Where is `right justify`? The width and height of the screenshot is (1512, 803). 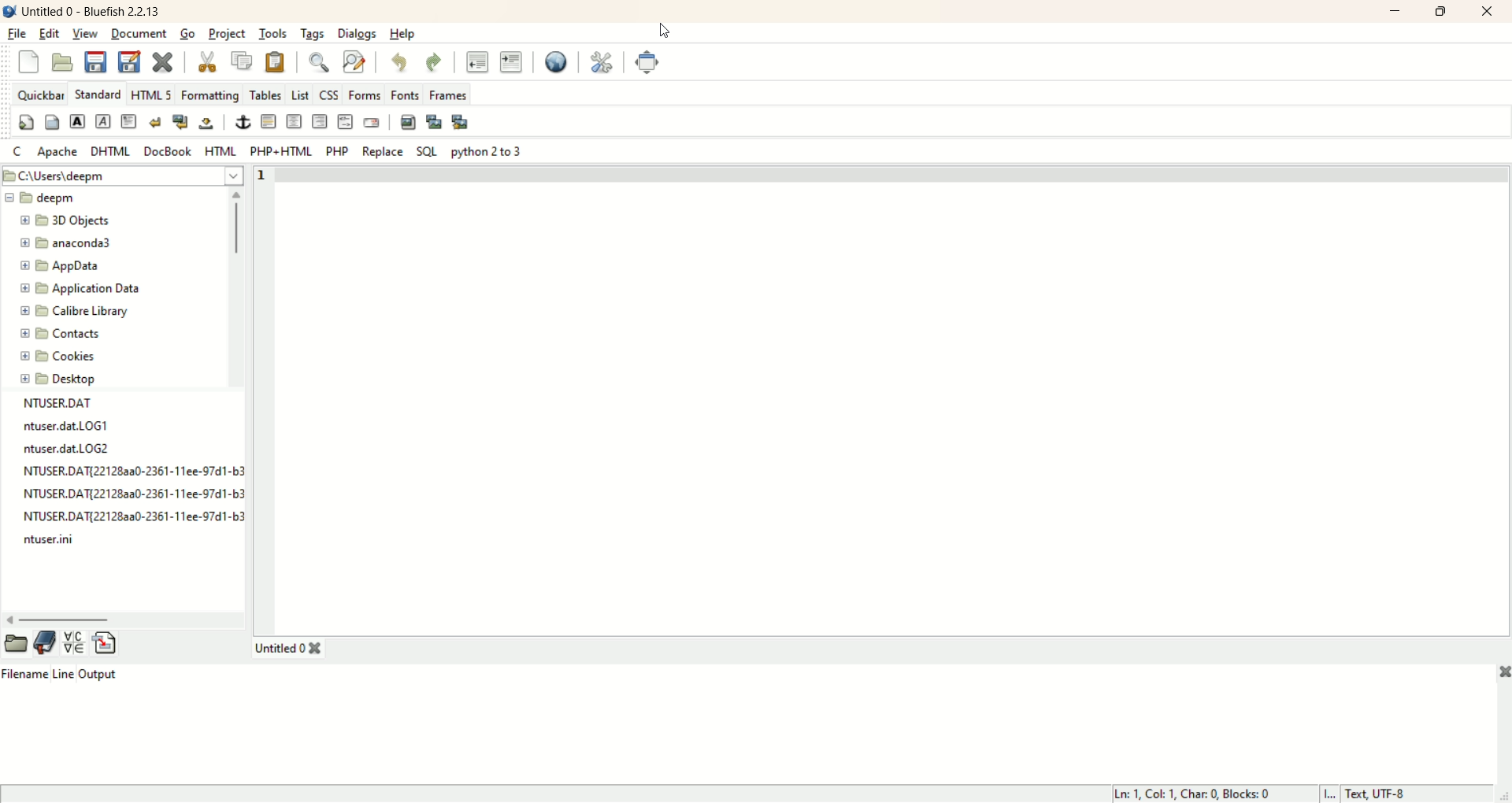
right justify is located at coordinates (321, 121).